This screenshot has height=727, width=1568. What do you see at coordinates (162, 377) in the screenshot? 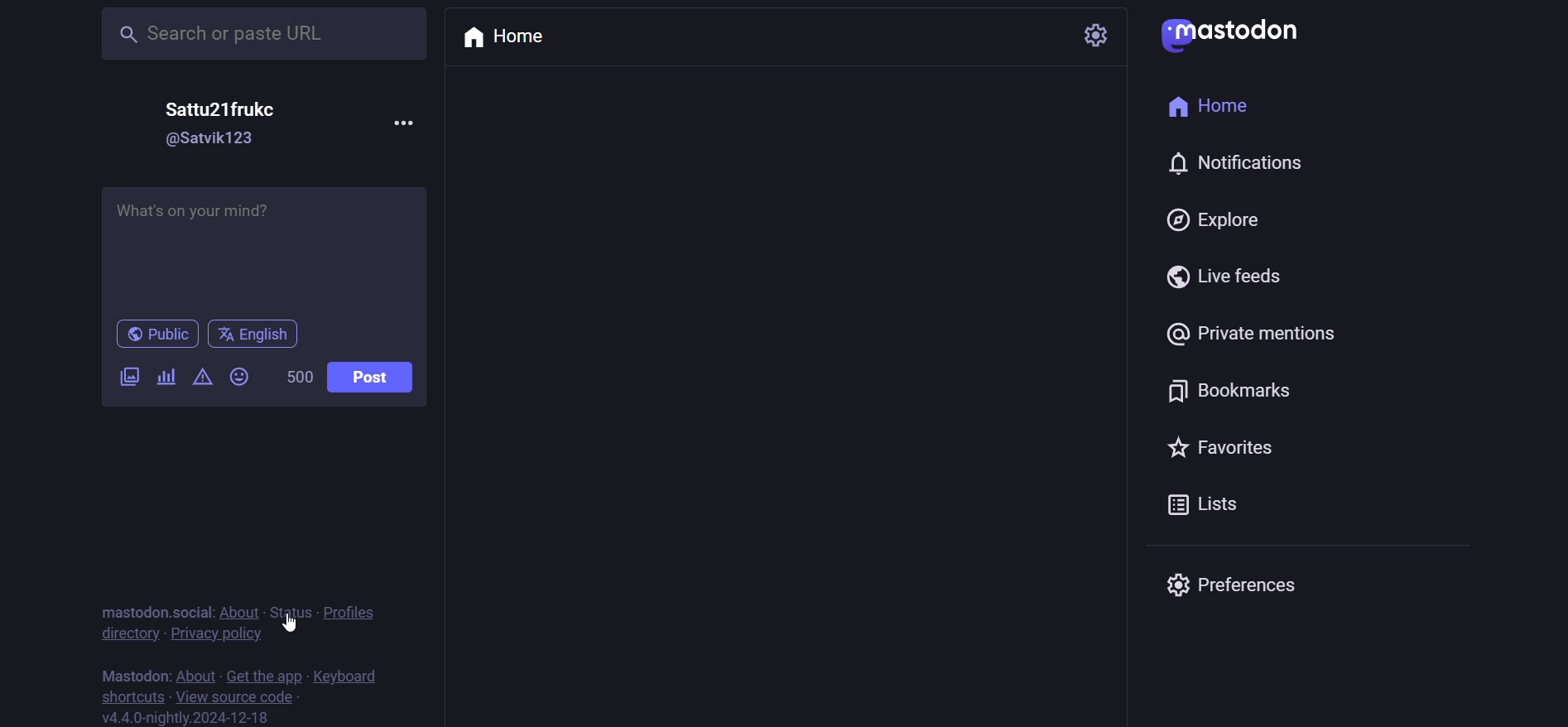
I see `poll` at bounding box center [162, 377].